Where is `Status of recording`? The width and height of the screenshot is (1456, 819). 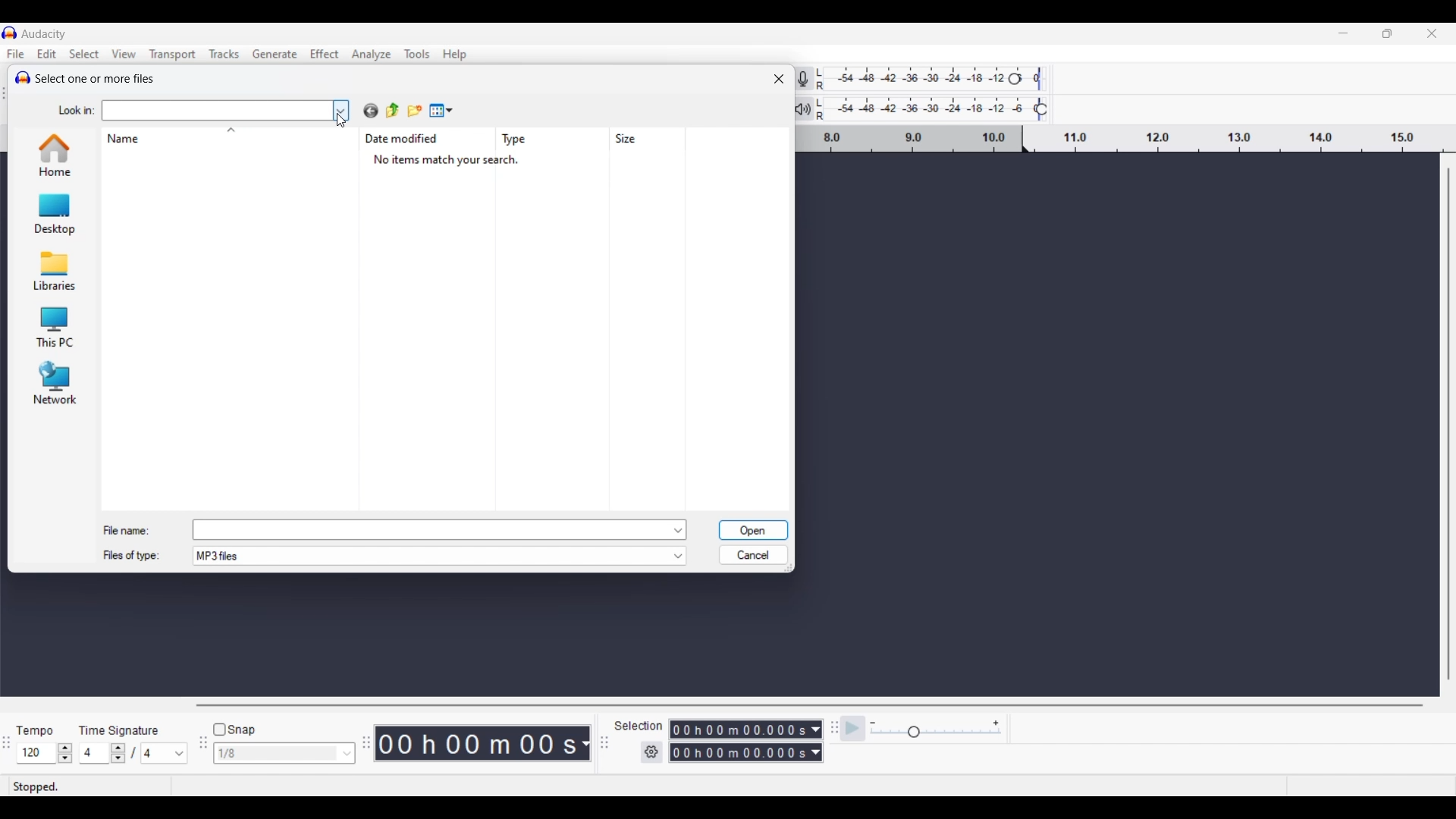 Status of recording is located at coordinates (71, 786).